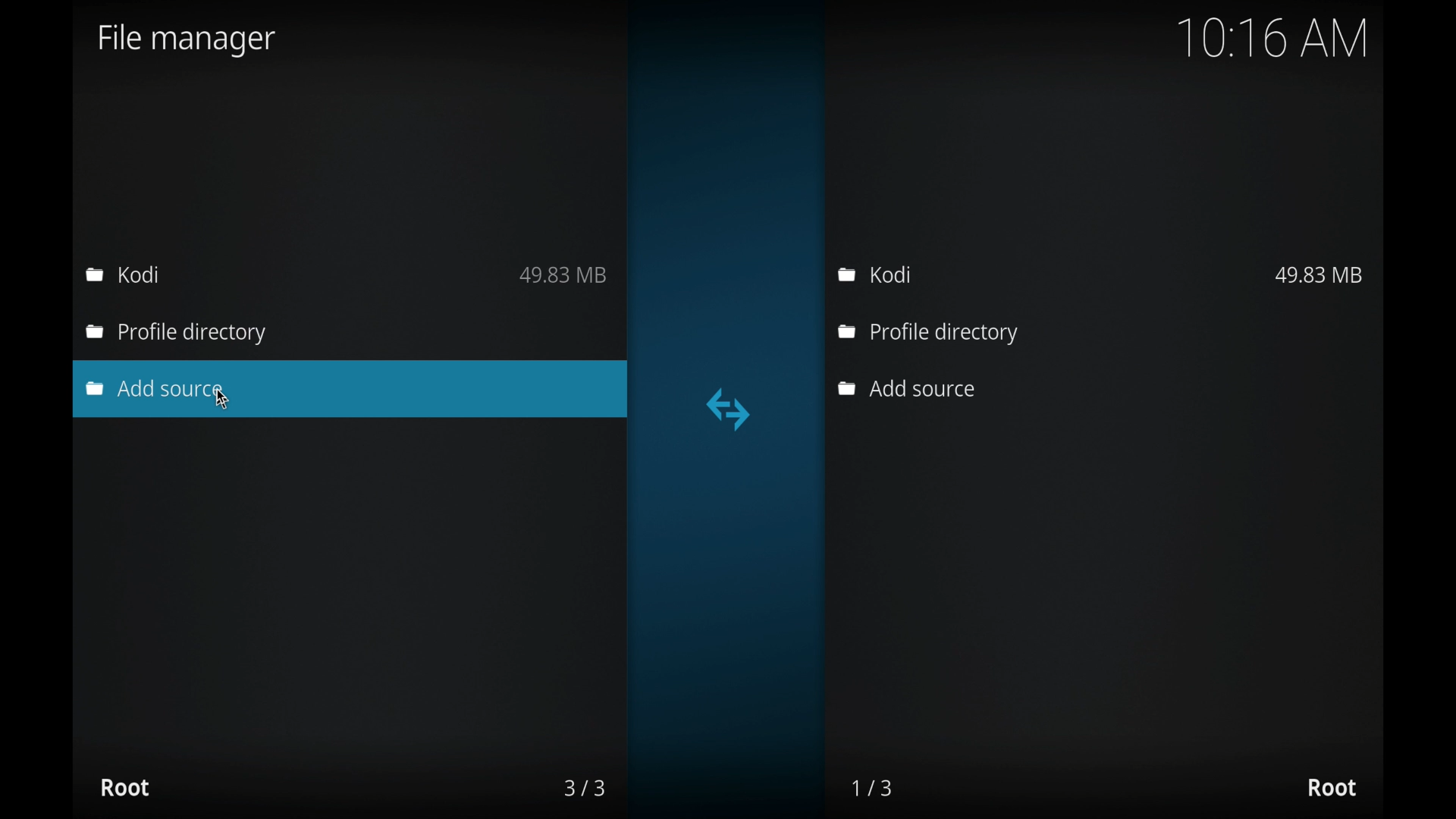 The image size is (1456, 819). What do you see at coordinates (158, 389) in the screenshot?
I see `add source` at bounding box center [158, 389].